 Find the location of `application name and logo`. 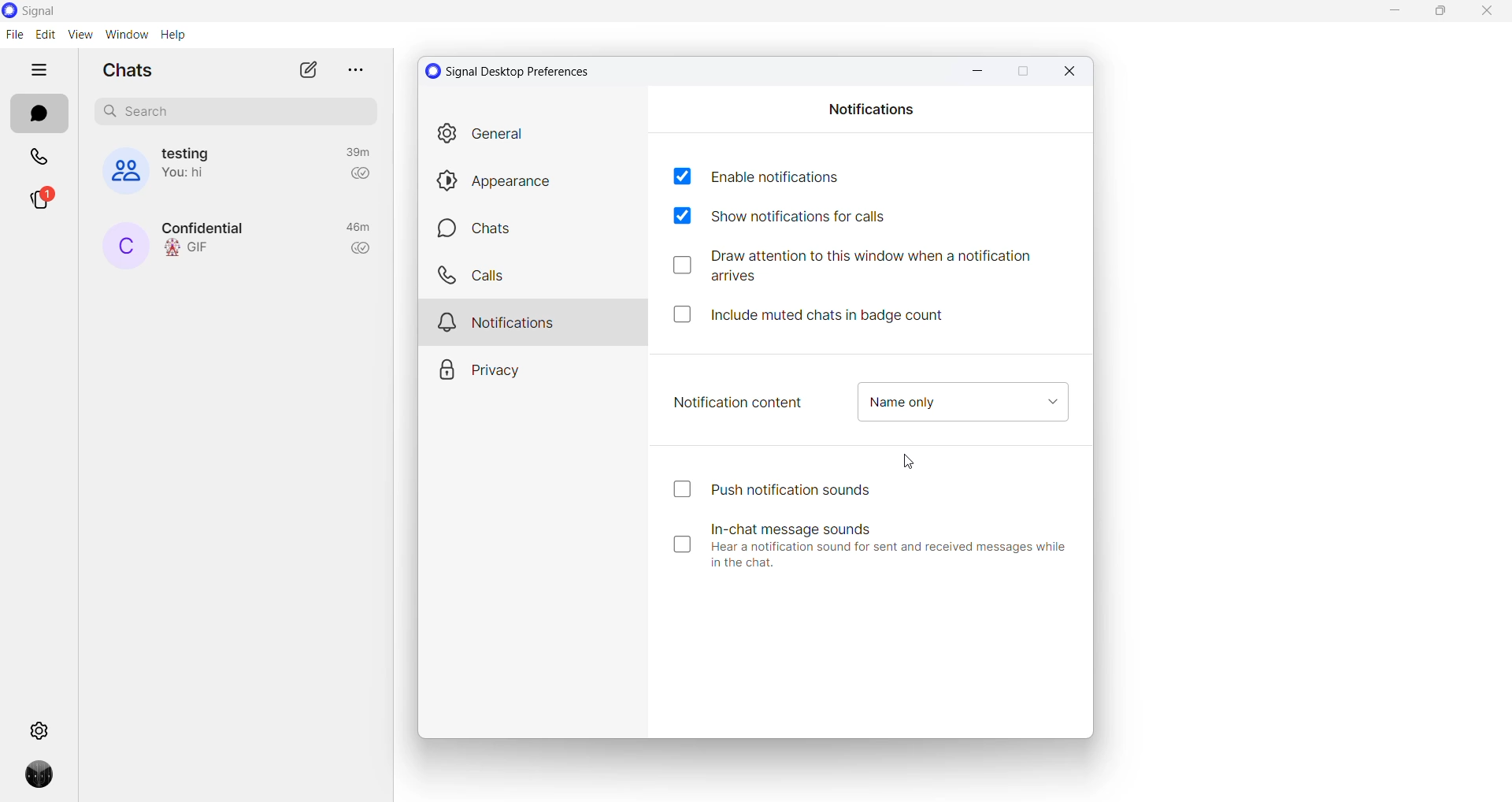

application name and logo is located at coordinates (57, 11).